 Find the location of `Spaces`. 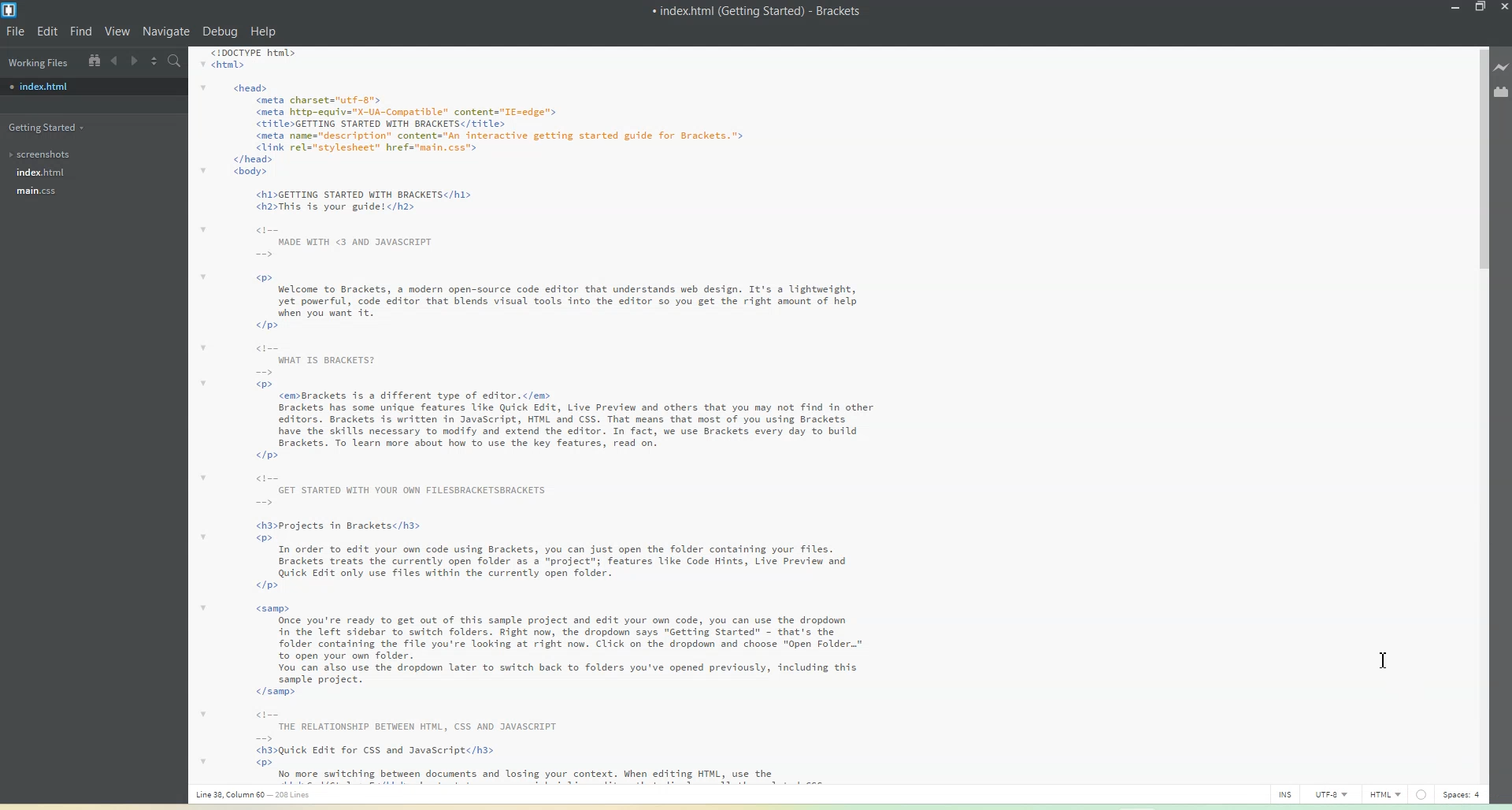

Spaces is located at coordinates (1419, 793).